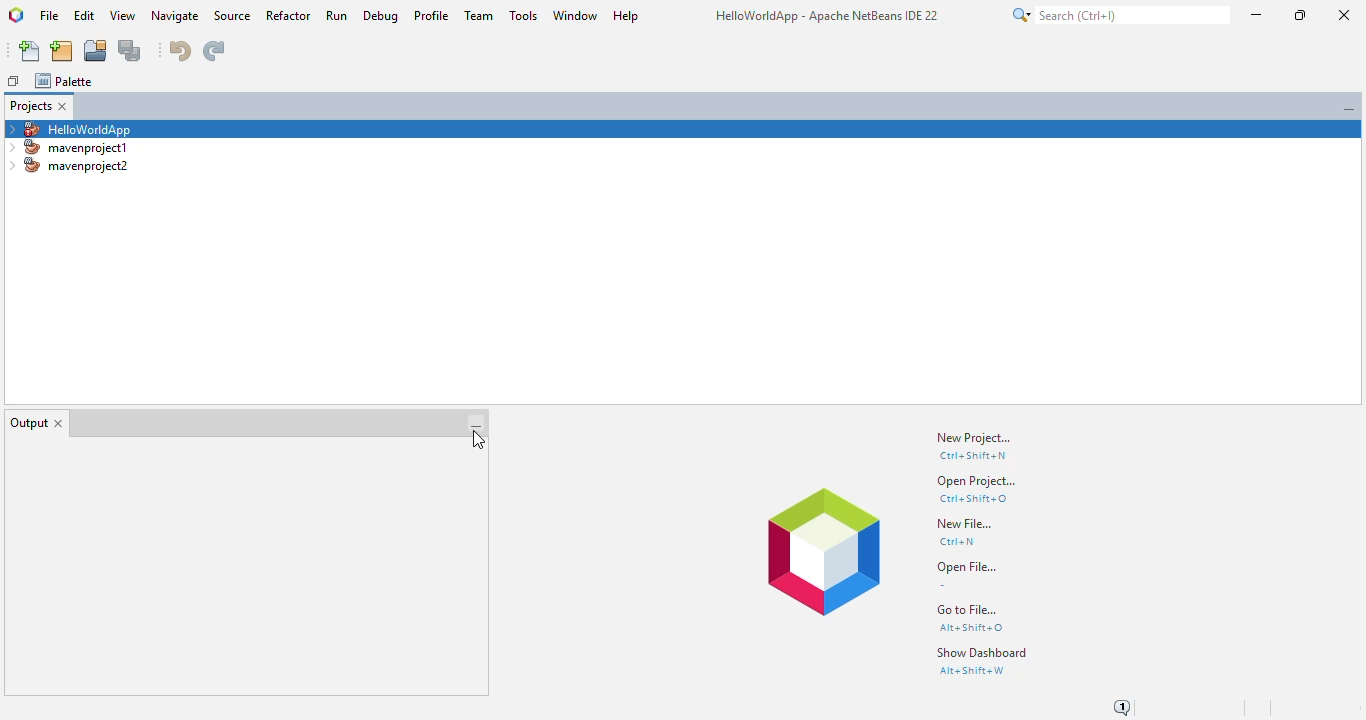 The image size is (1366, 720). Describe the element at coordinates (481, 15) in the screenshot. I see `team` at that location.